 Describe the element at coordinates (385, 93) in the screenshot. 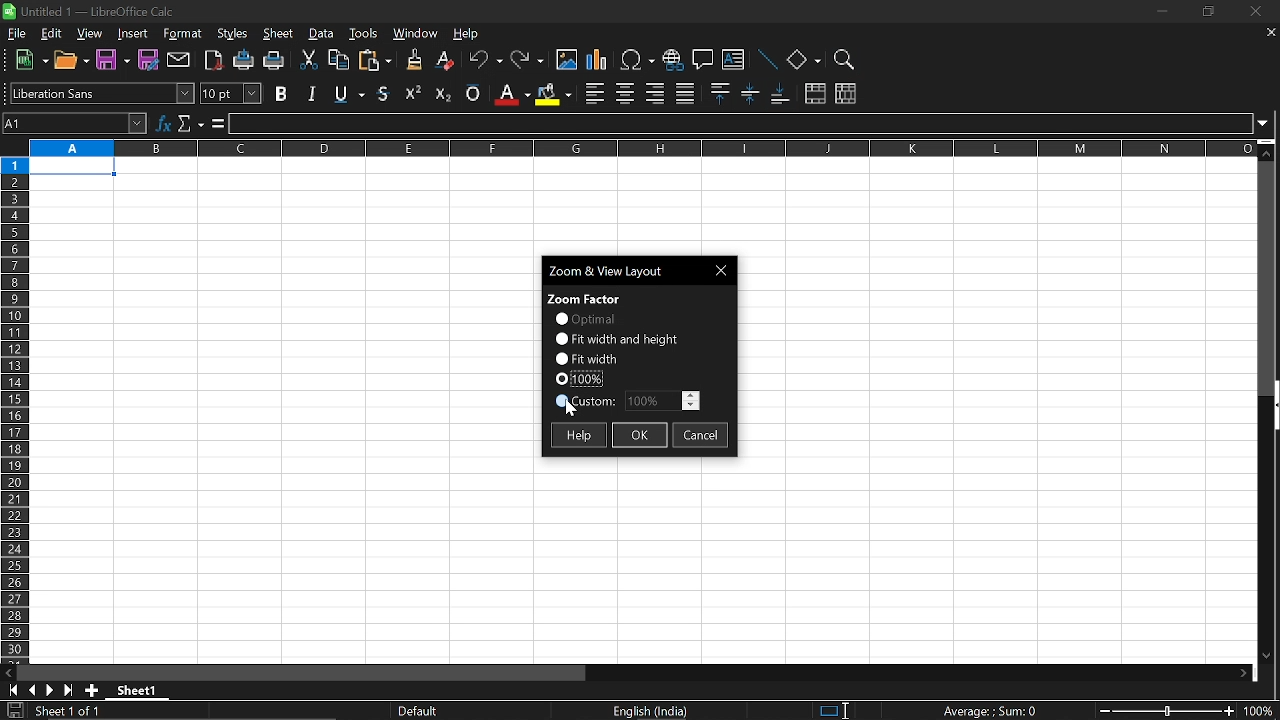

I see `underline` at that location.